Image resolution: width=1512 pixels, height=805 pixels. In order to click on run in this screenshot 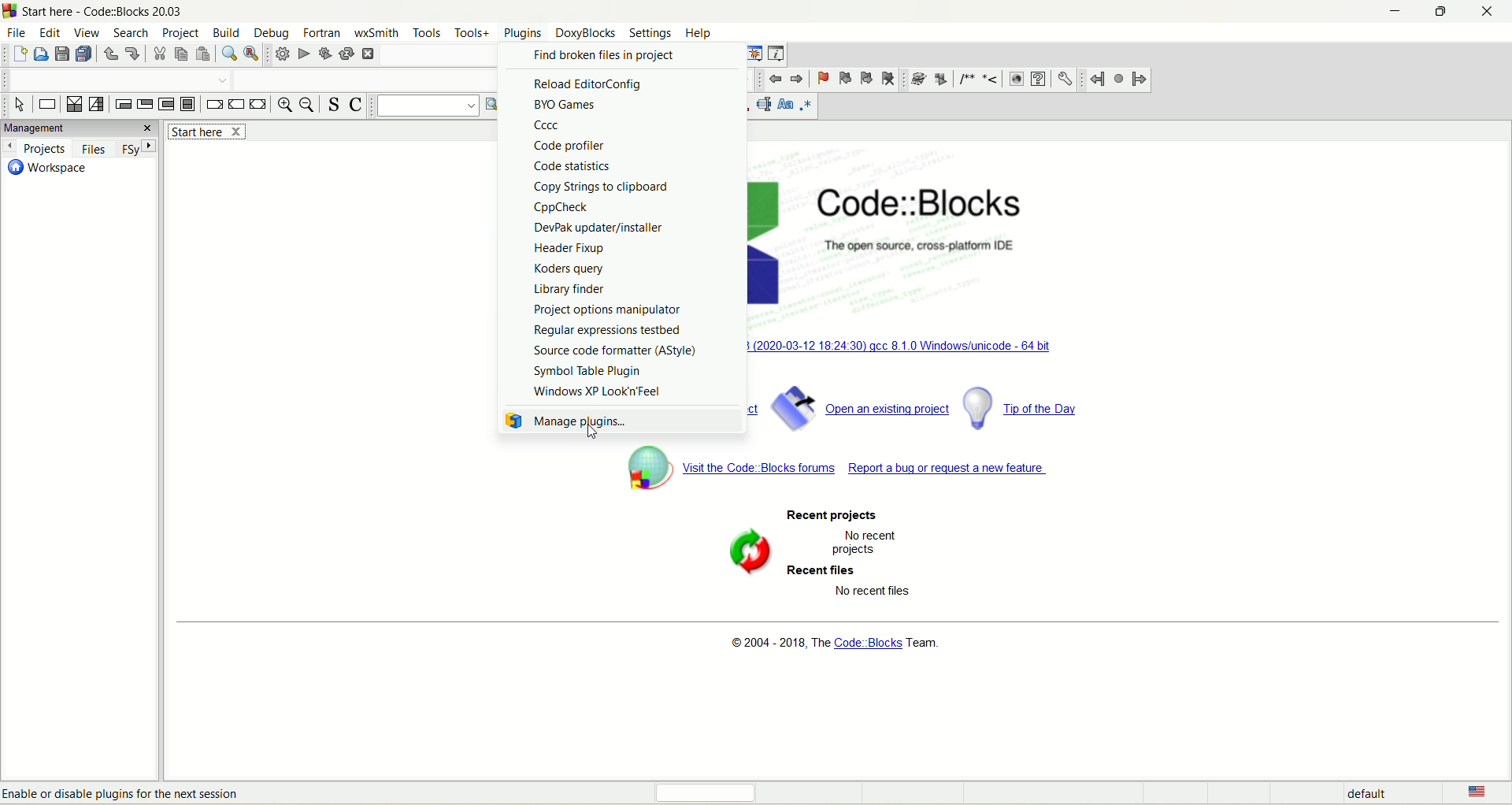, I will do `click(304, 54)`.